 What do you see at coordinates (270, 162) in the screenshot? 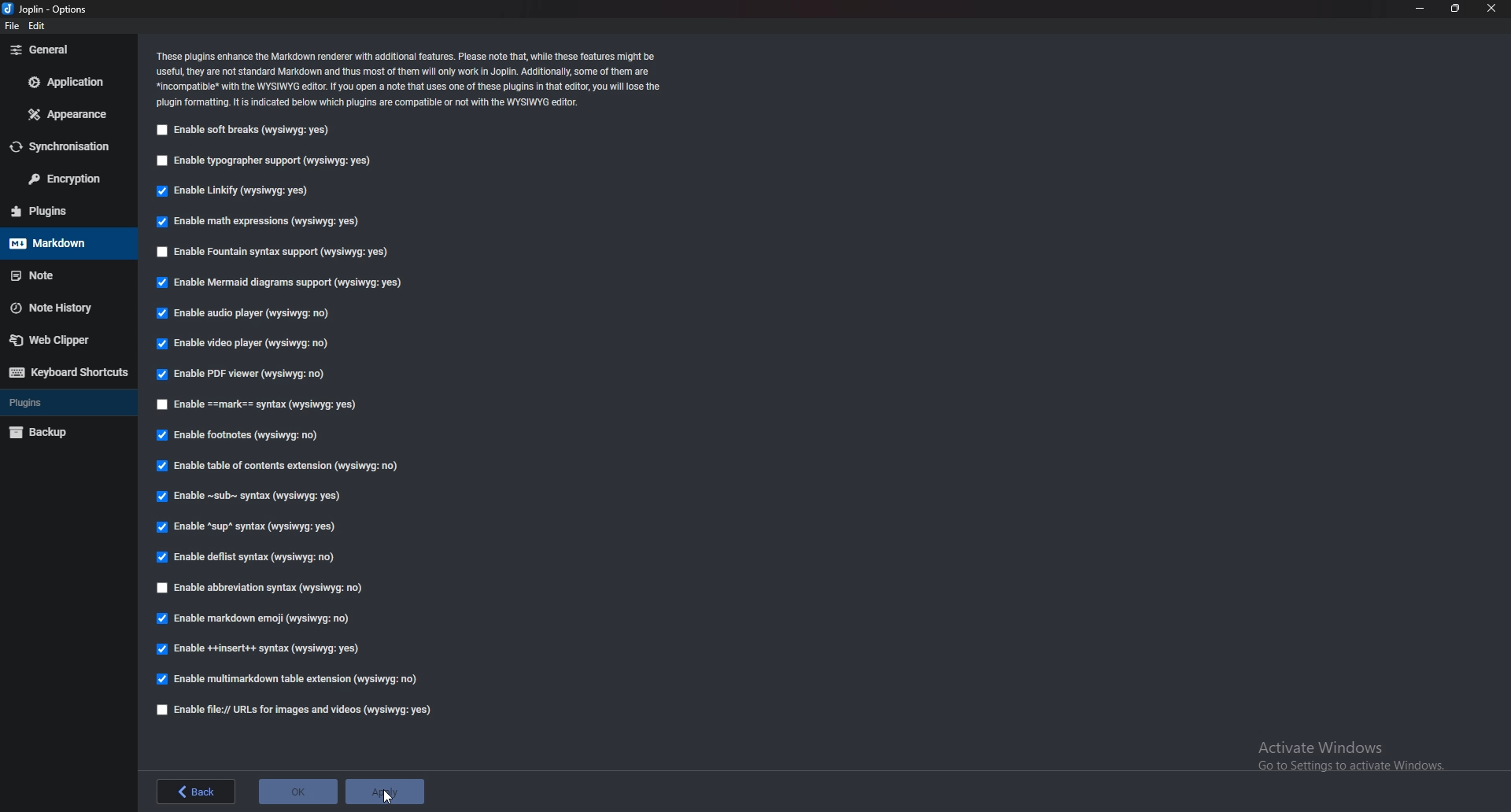
I see `Enable typographer support (wysiwyg:yes)` at bounding box center [270, 162].